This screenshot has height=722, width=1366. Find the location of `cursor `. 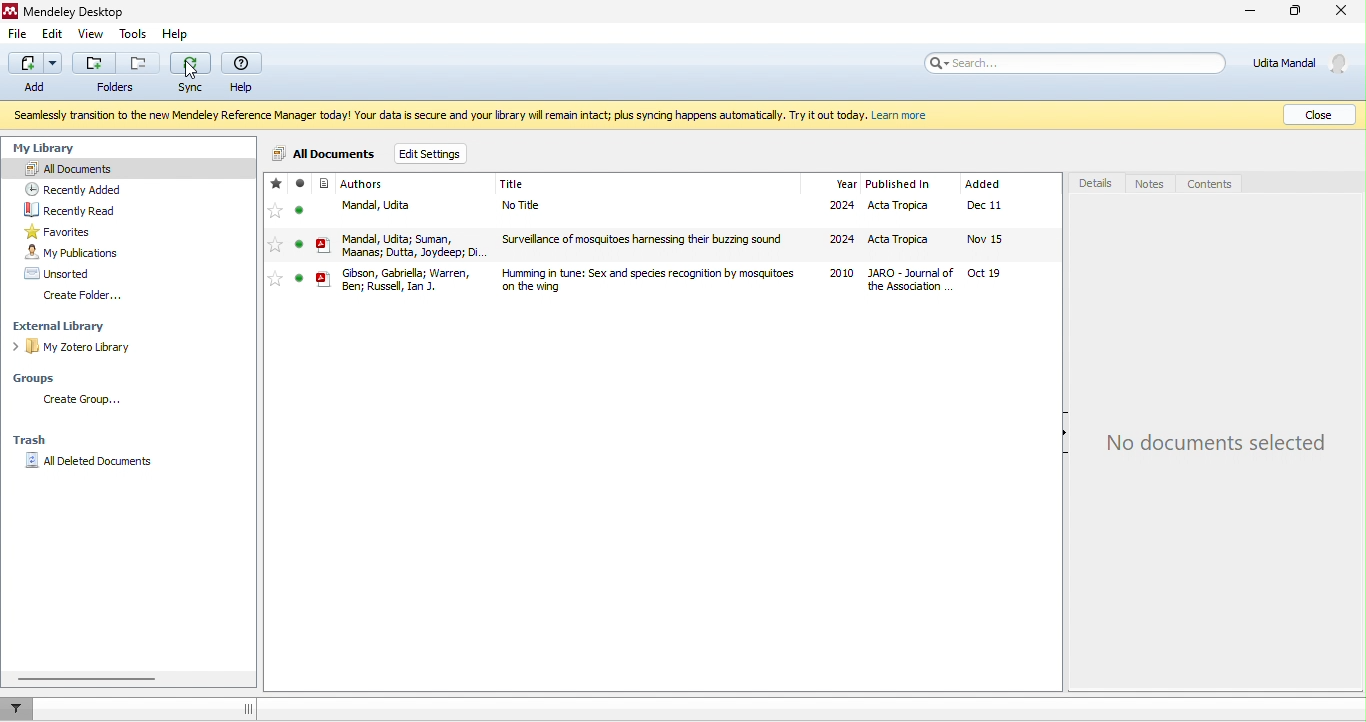

cursor  is located at coordinates (192, 71).